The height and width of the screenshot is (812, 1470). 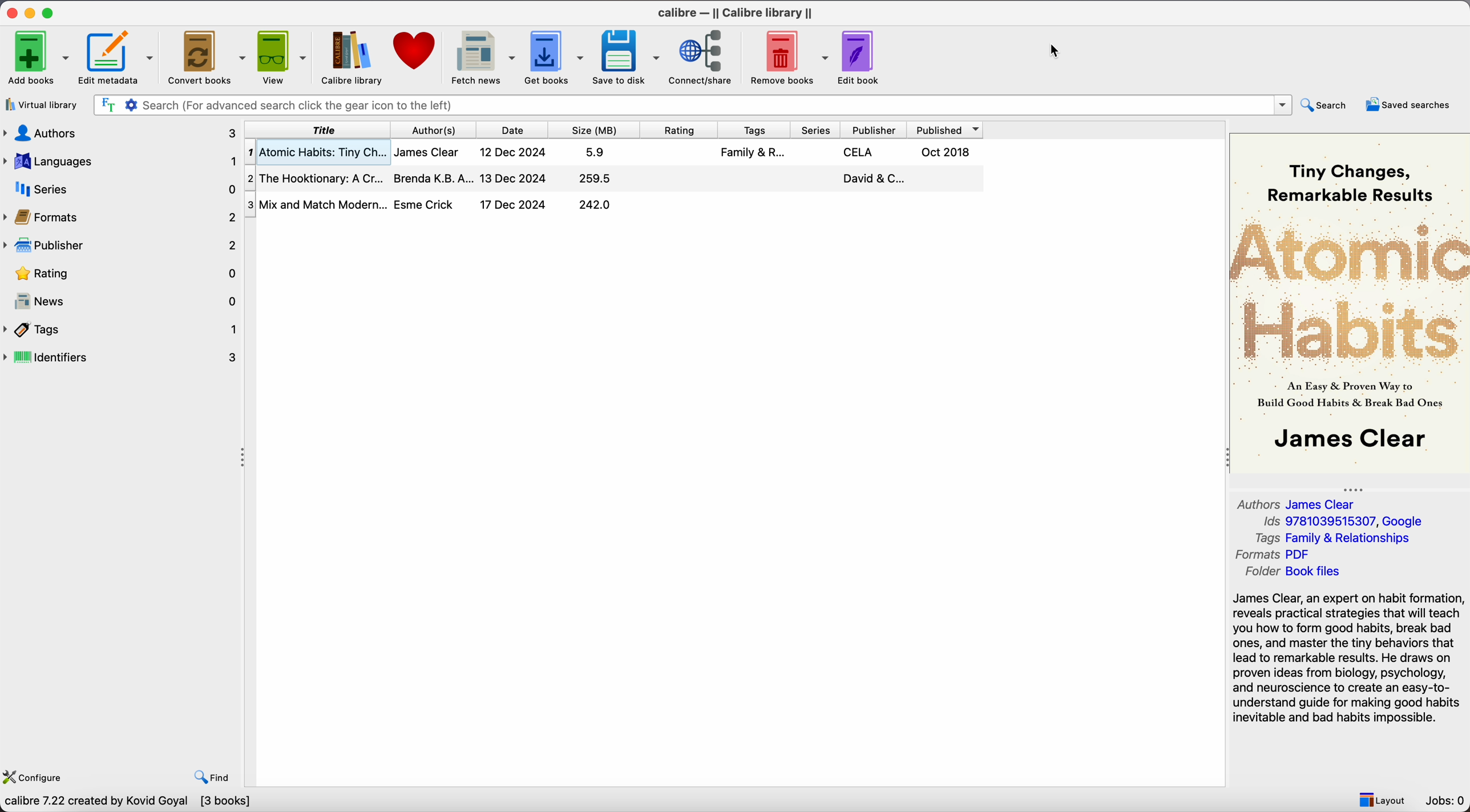 What do you see at coordinates (428, 152) in the screenshot?
I see `James Clear` at bounding box center [428, 152].